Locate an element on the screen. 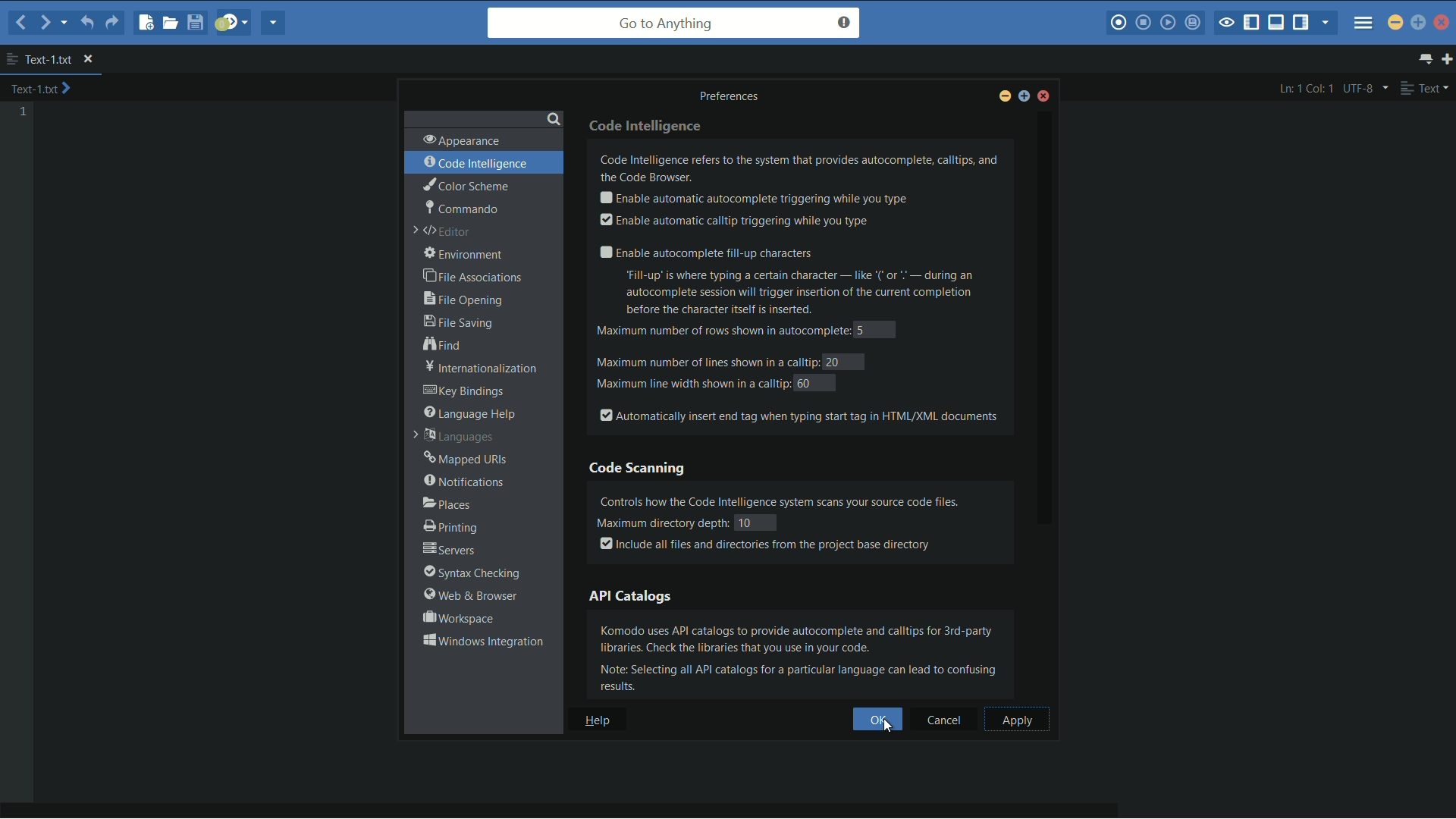 This screenshot has width=1456, height=819. web and browser is located at coordinates (467, 596).